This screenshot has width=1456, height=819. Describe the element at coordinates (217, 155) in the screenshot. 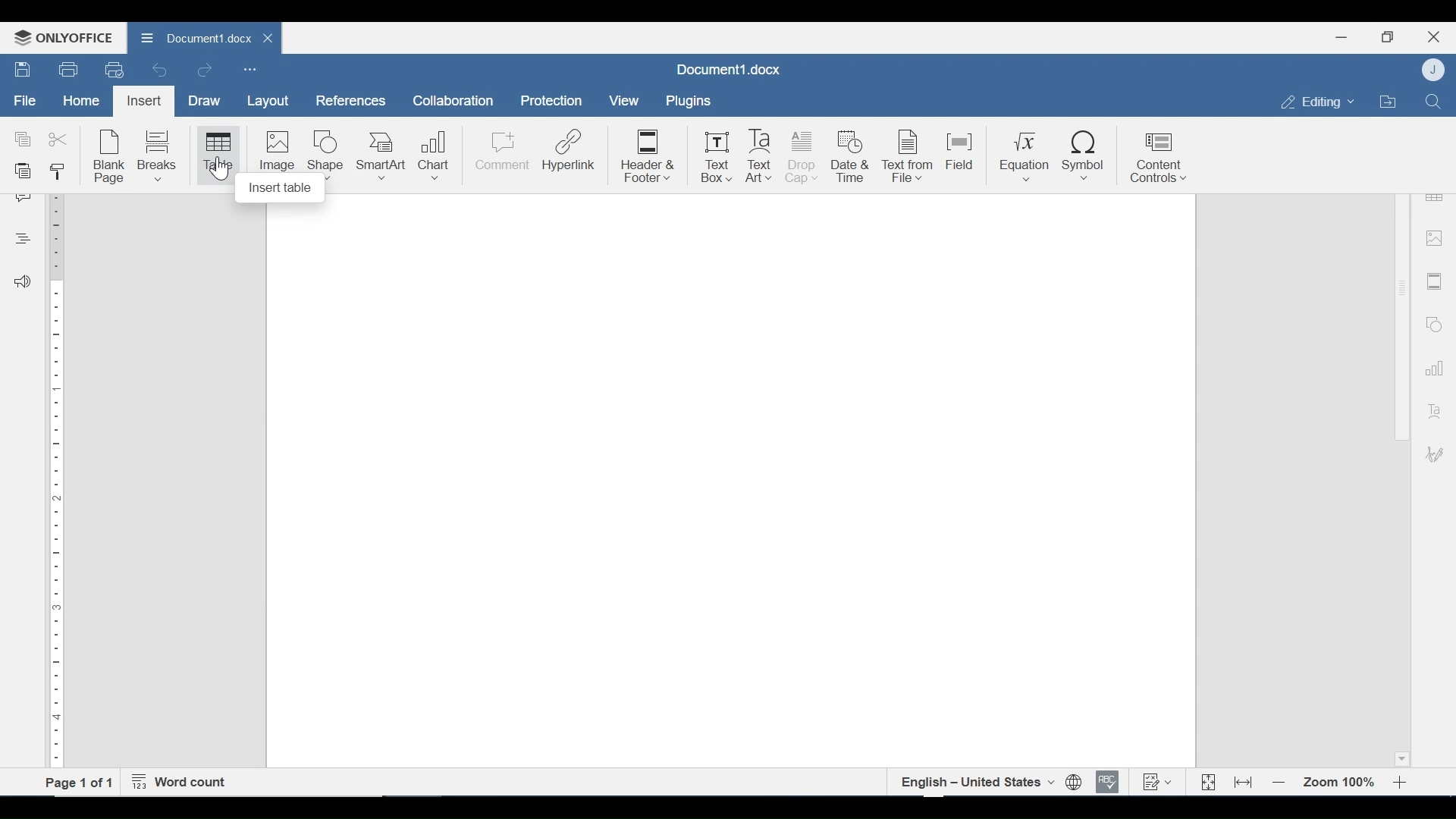

I see `Table` at that location.